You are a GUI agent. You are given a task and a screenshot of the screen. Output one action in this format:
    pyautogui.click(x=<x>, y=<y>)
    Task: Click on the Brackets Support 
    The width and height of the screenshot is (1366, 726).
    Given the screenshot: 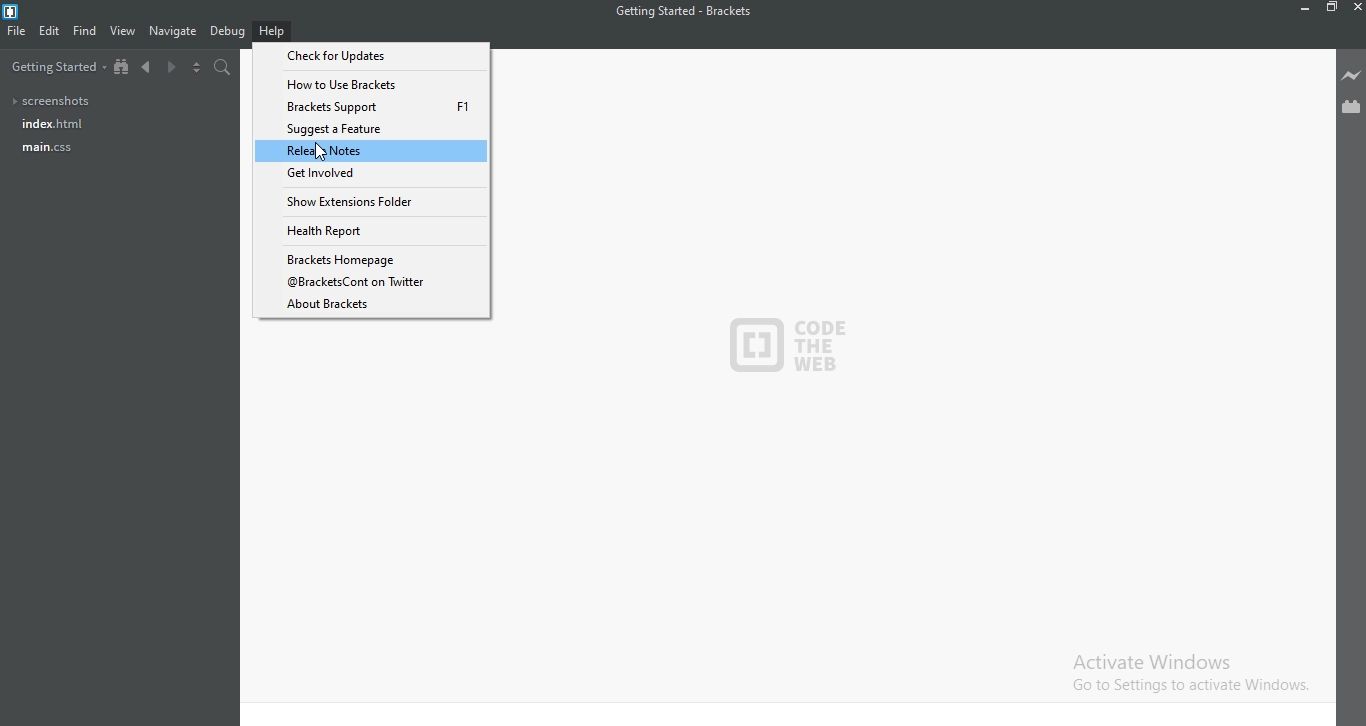 What is the action you would take?
    pyautogui.click(x=368, y=105)
    